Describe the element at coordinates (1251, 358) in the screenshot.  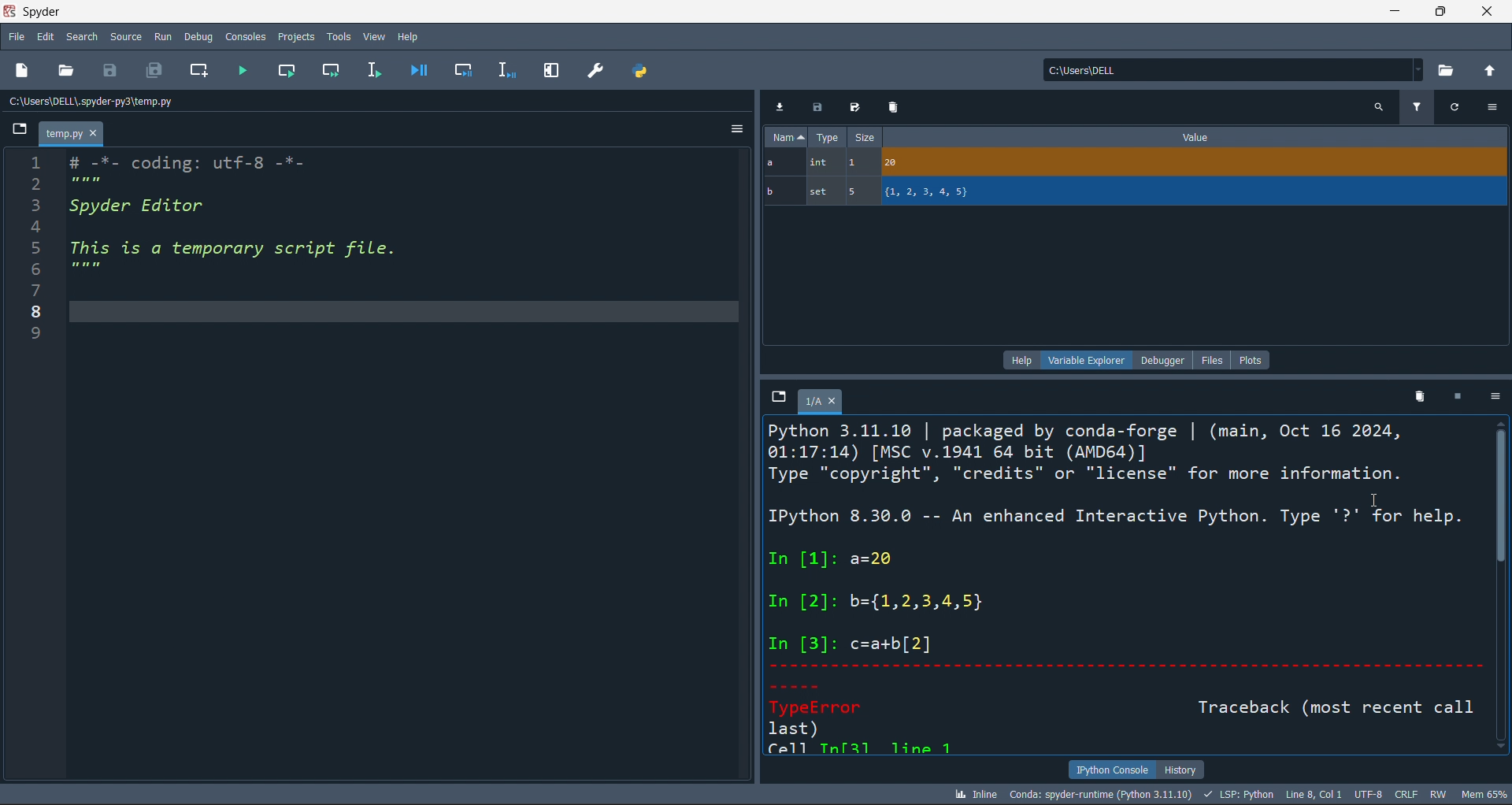
I see `plots` at that location.